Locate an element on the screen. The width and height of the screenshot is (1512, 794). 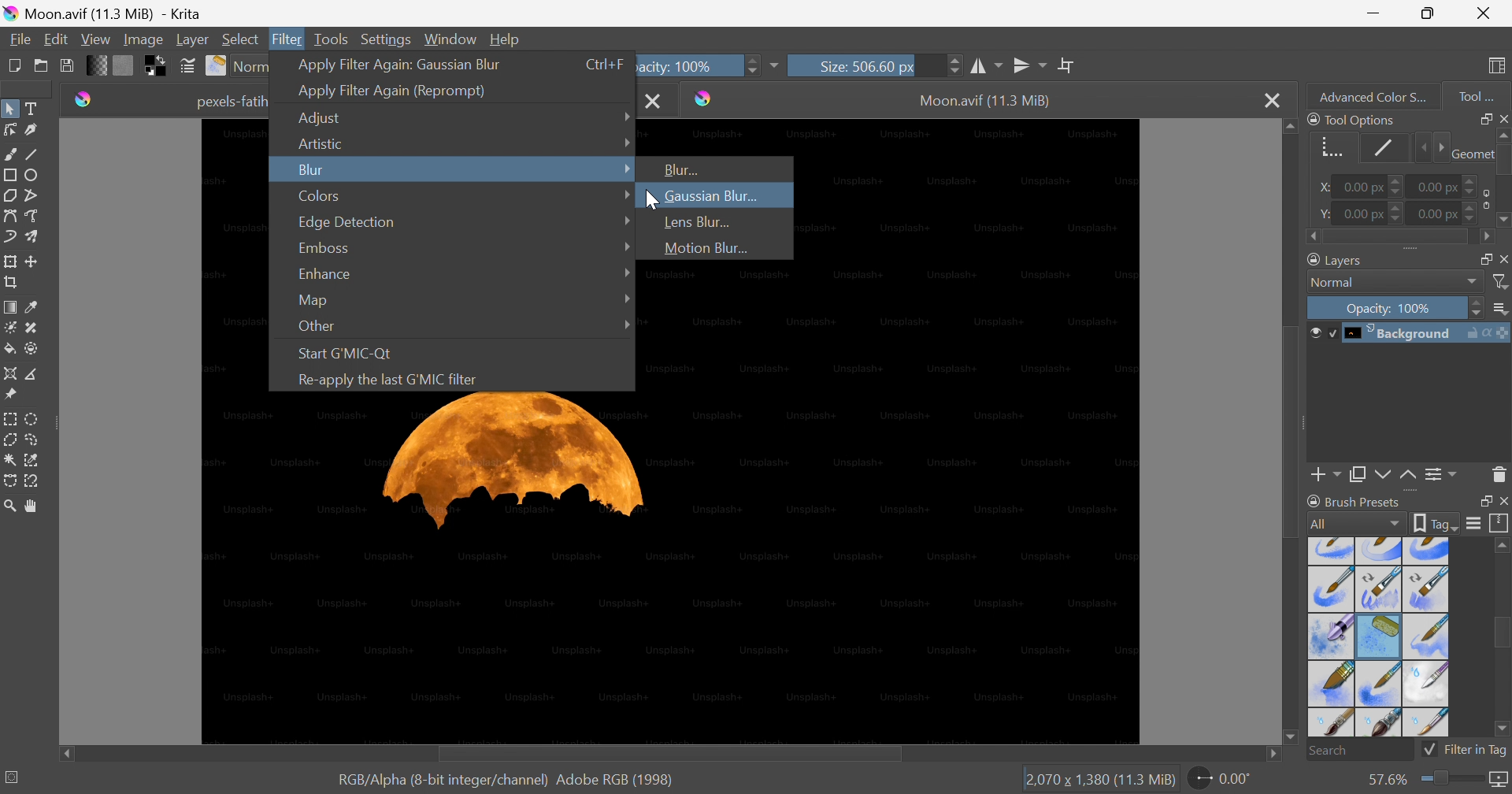
Edit shapes tool is located at coordinates (9, 129).